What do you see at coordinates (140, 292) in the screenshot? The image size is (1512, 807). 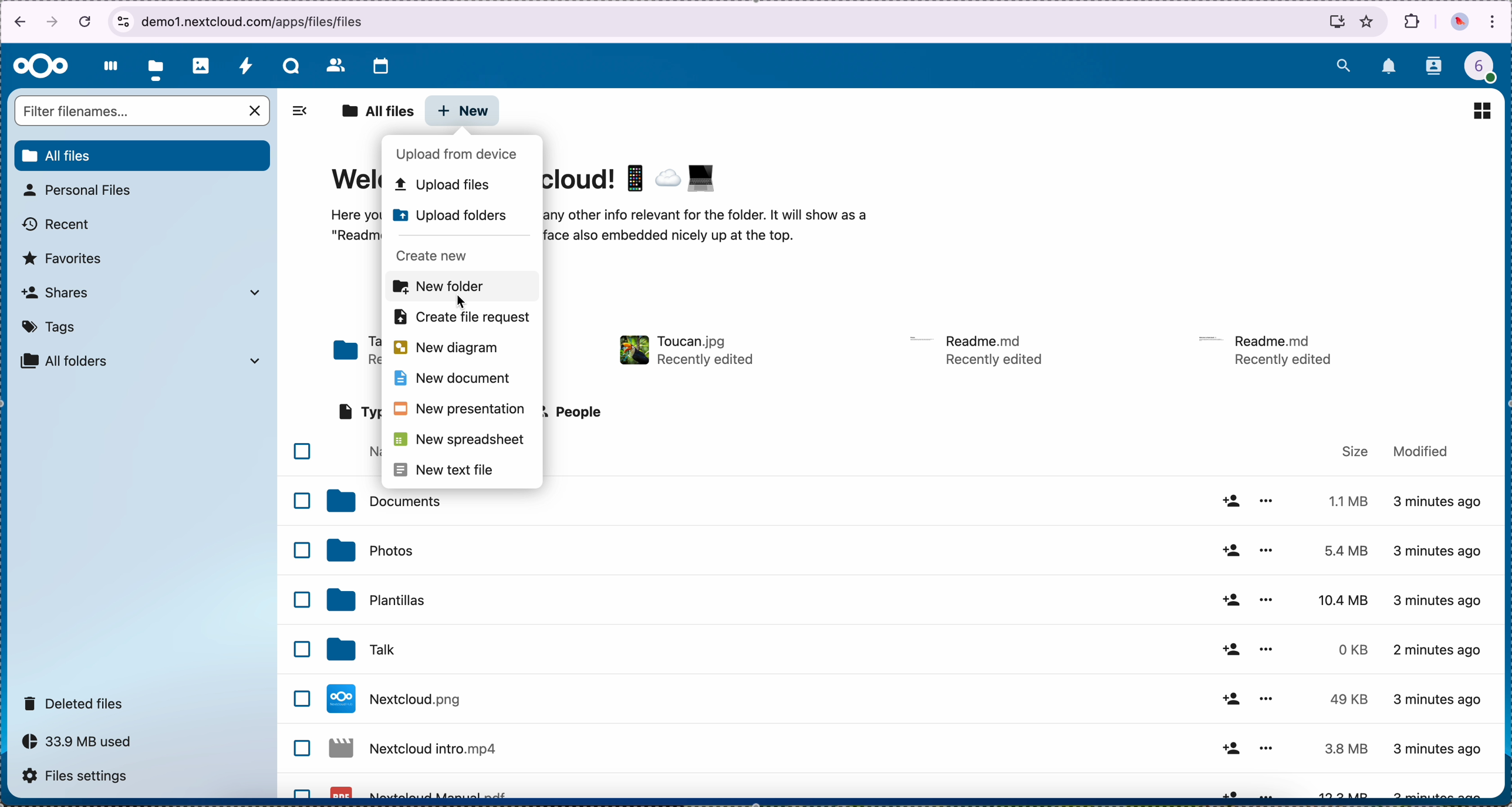 I see `shares` at bounding box center [140, 292].